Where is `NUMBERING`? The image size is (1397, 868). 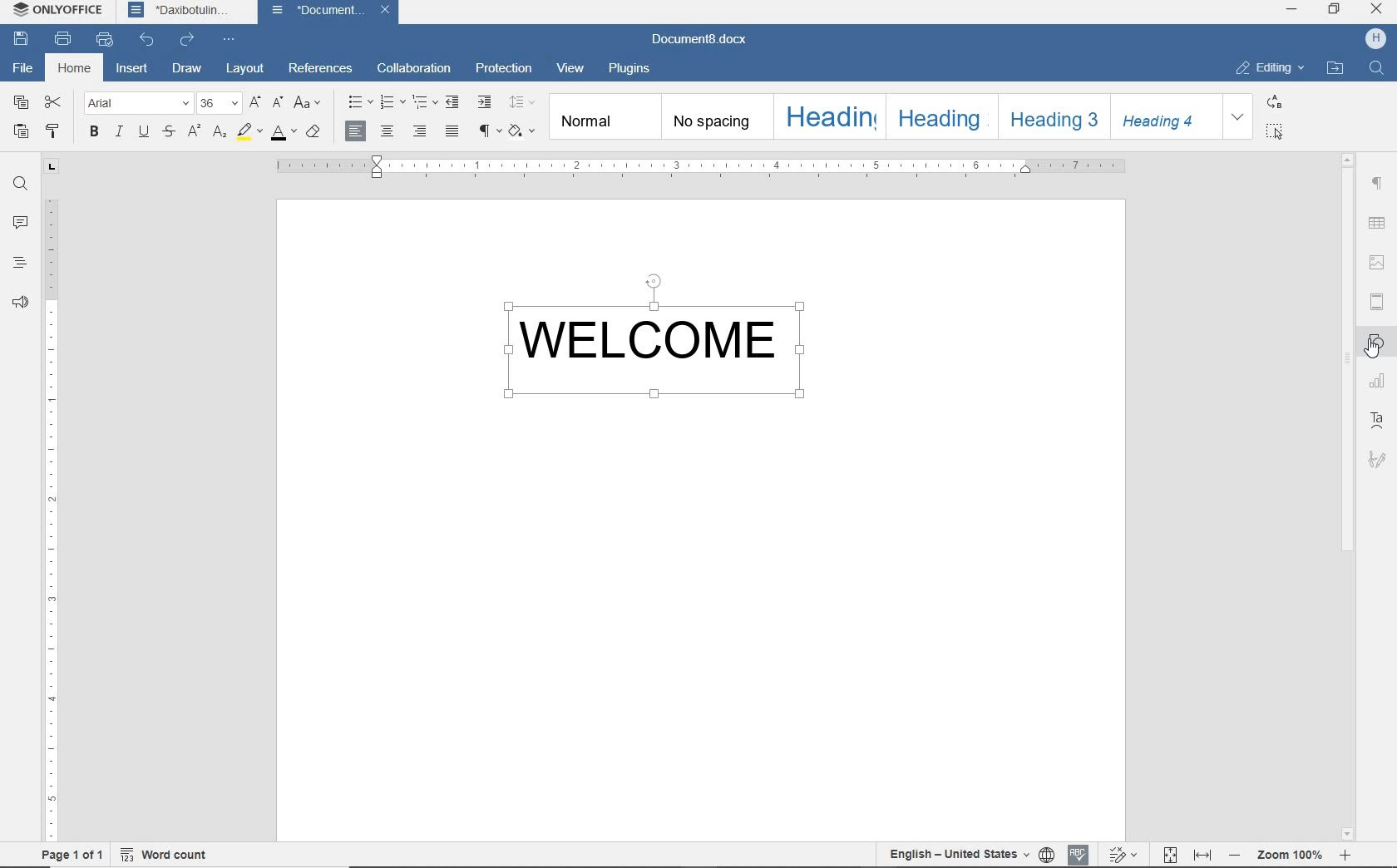 NUMBERING is located at coordinates (391, 102).